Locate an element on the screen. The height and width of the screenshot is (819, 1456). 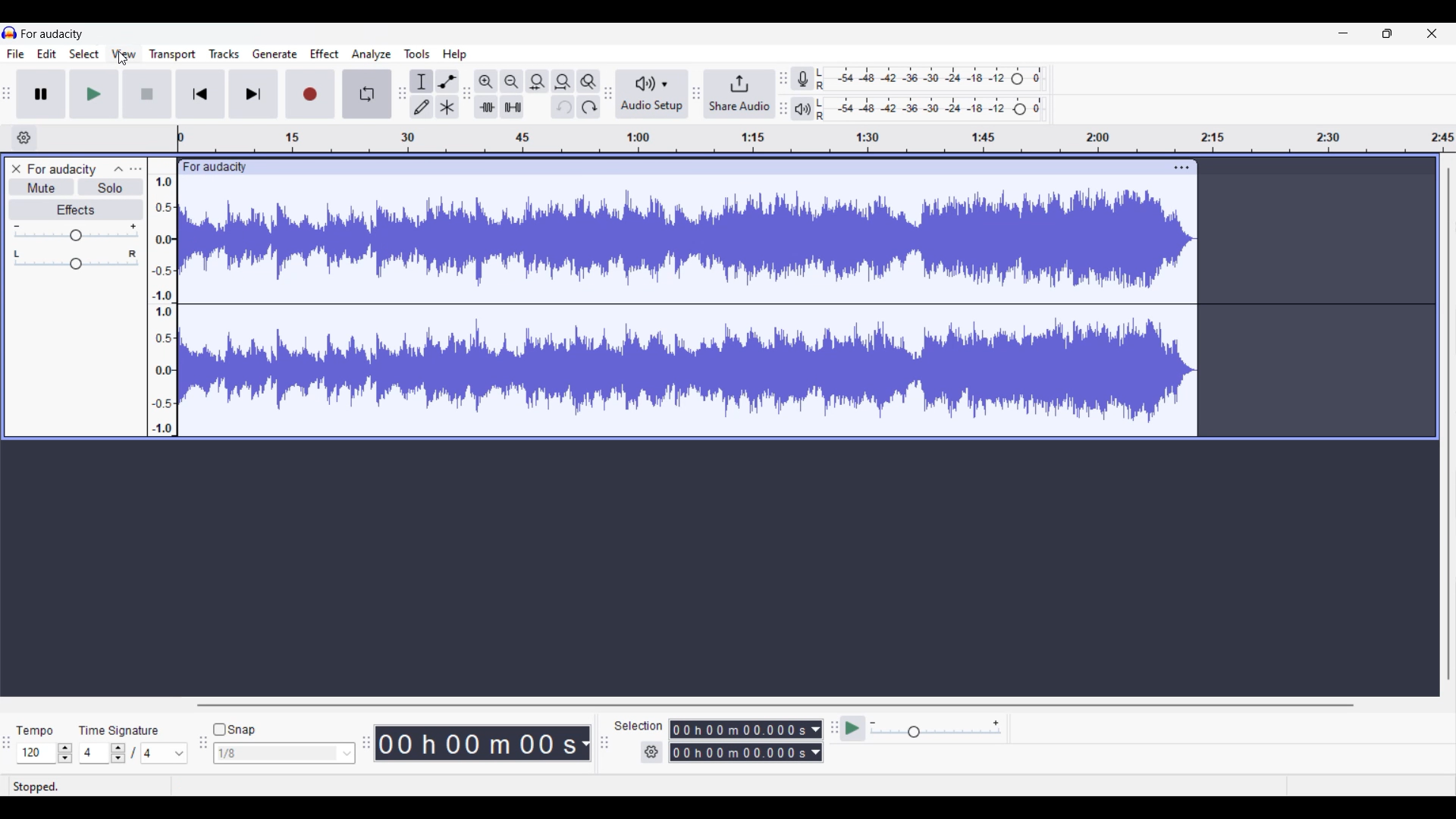
logo is located at coordinates (10, 32).